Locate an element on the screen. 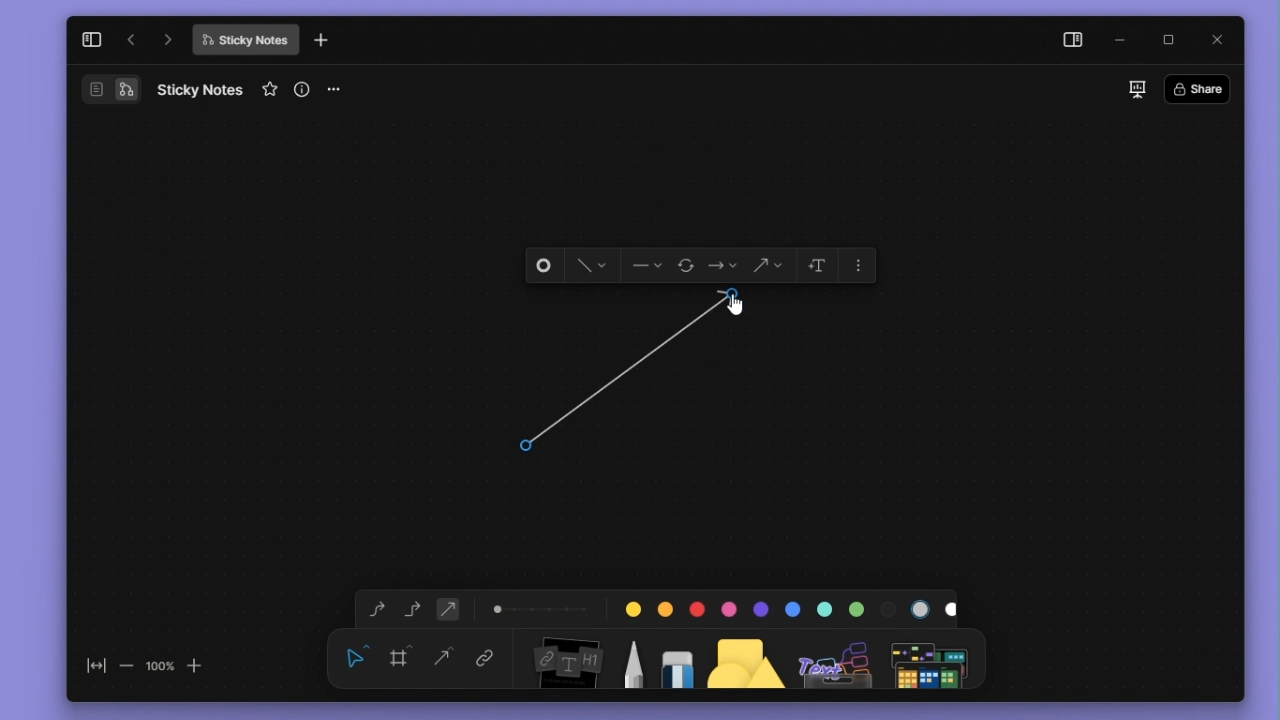 This screenshot has width=1280, height=720. cursor is located at coordinates (738, 310).